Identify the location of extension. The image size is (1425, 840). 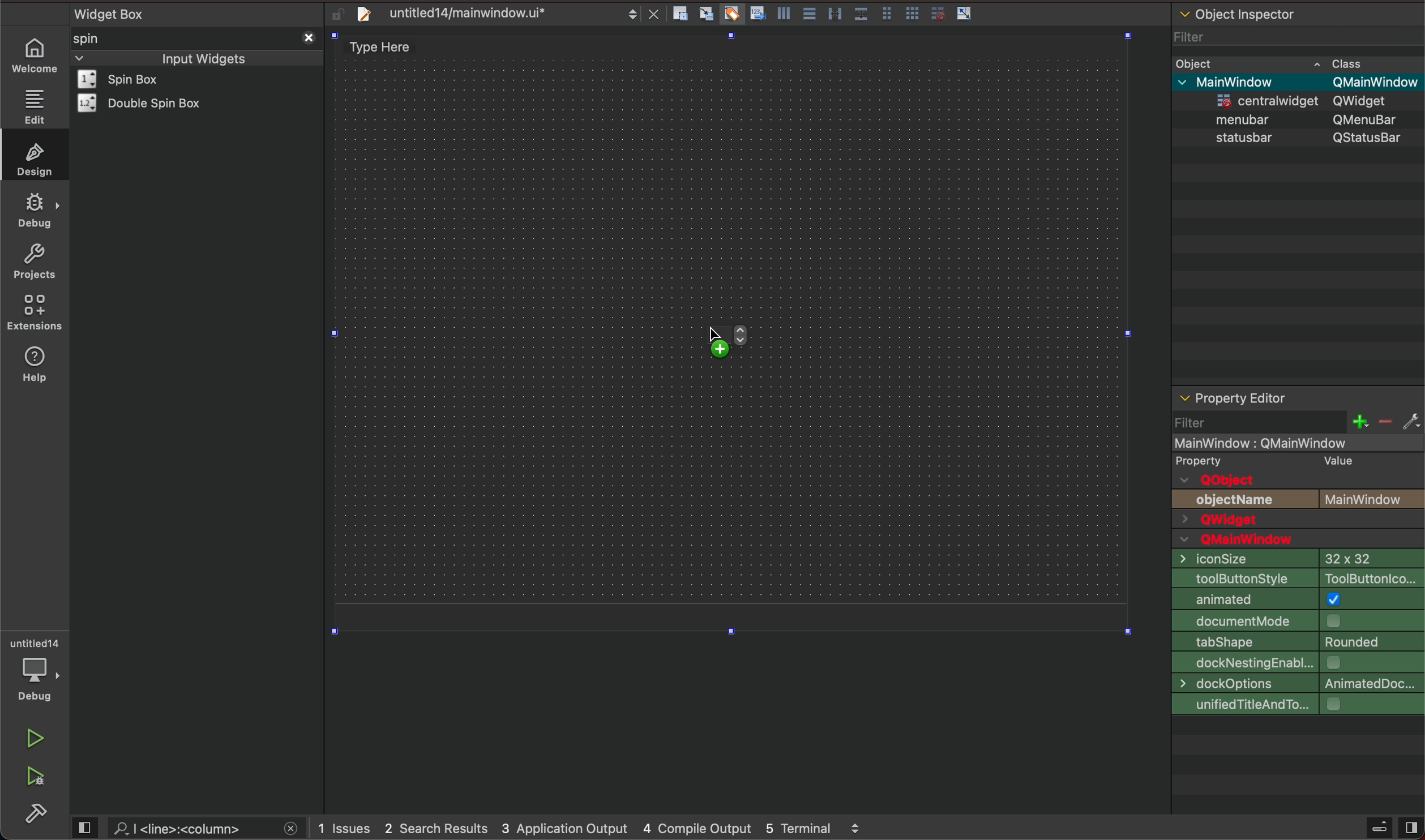
(35, 313).